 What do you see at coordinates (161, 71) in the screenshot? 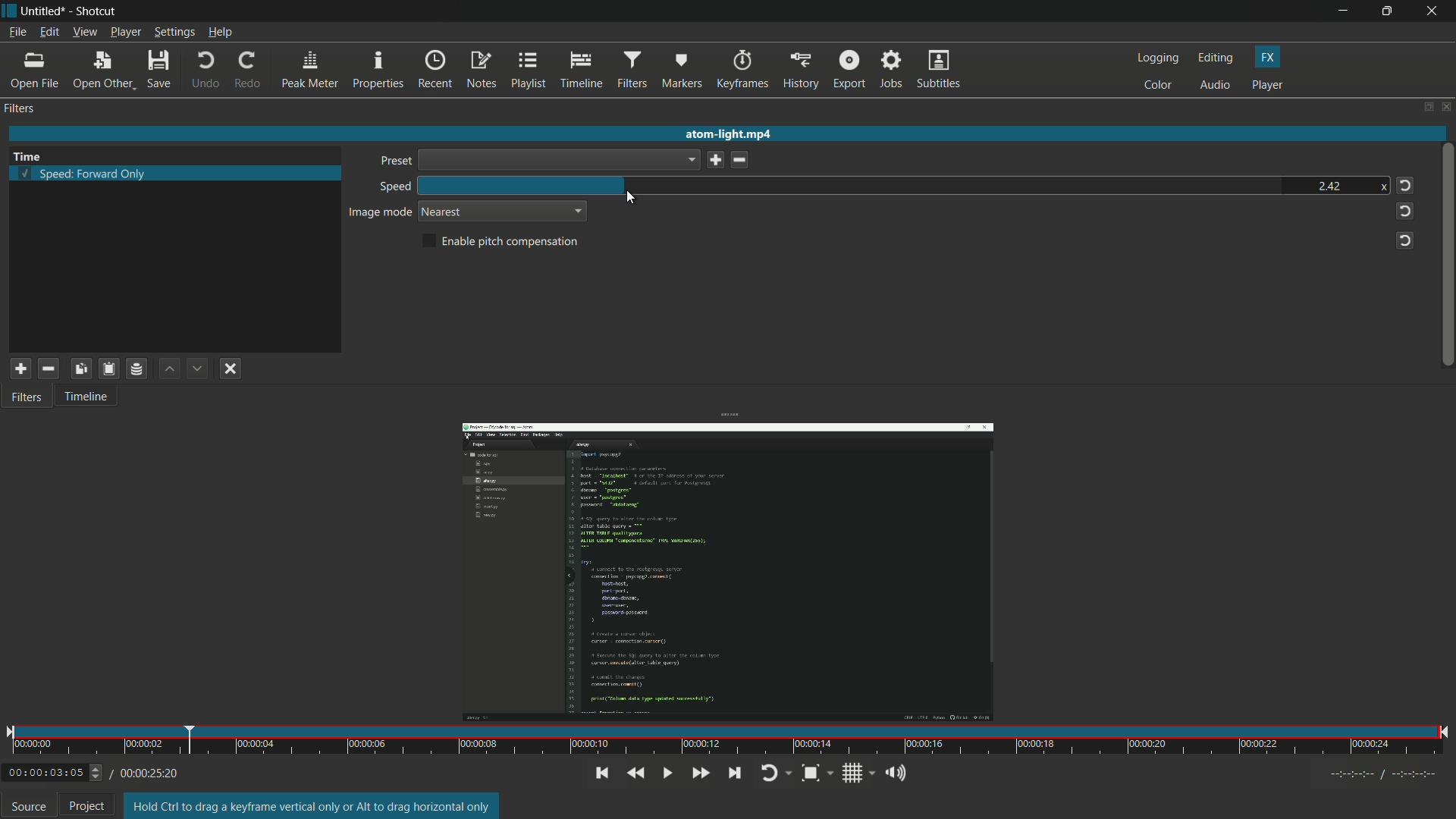
I see `save` at bounding box center [161, 71].